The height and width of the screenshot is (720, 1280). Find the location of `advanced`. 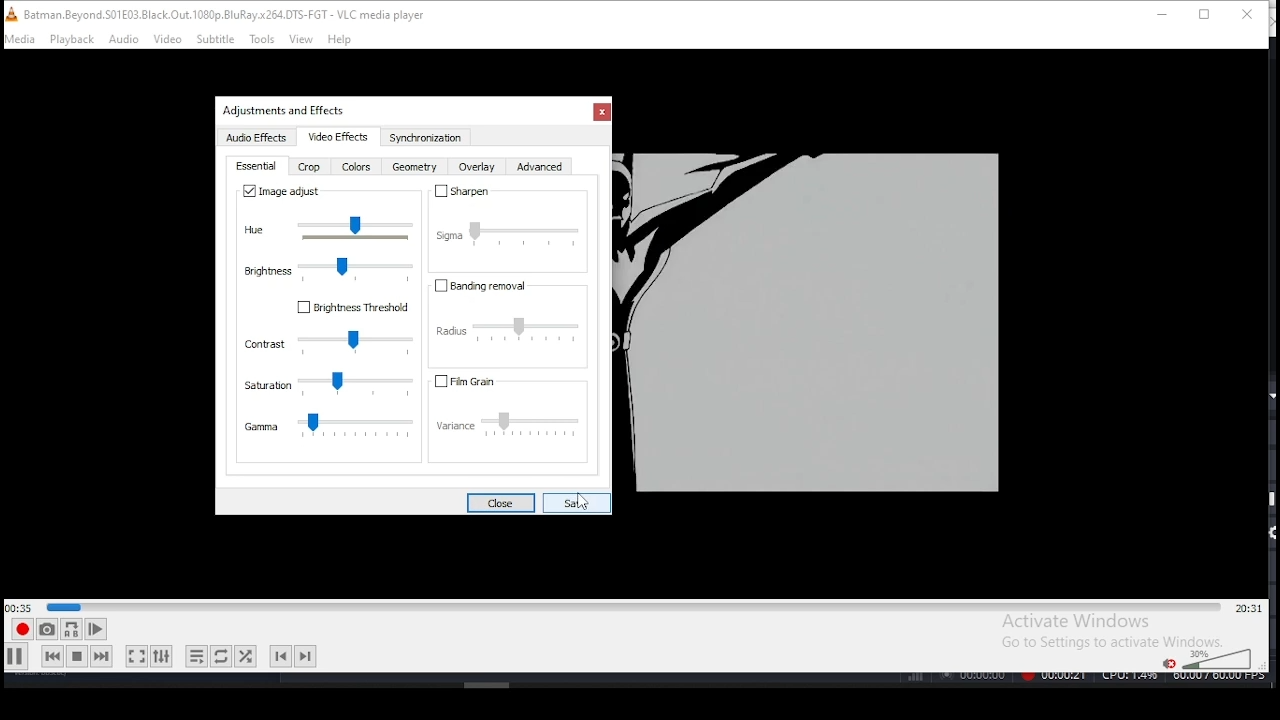

advanced is located at coordinates (540, 170).